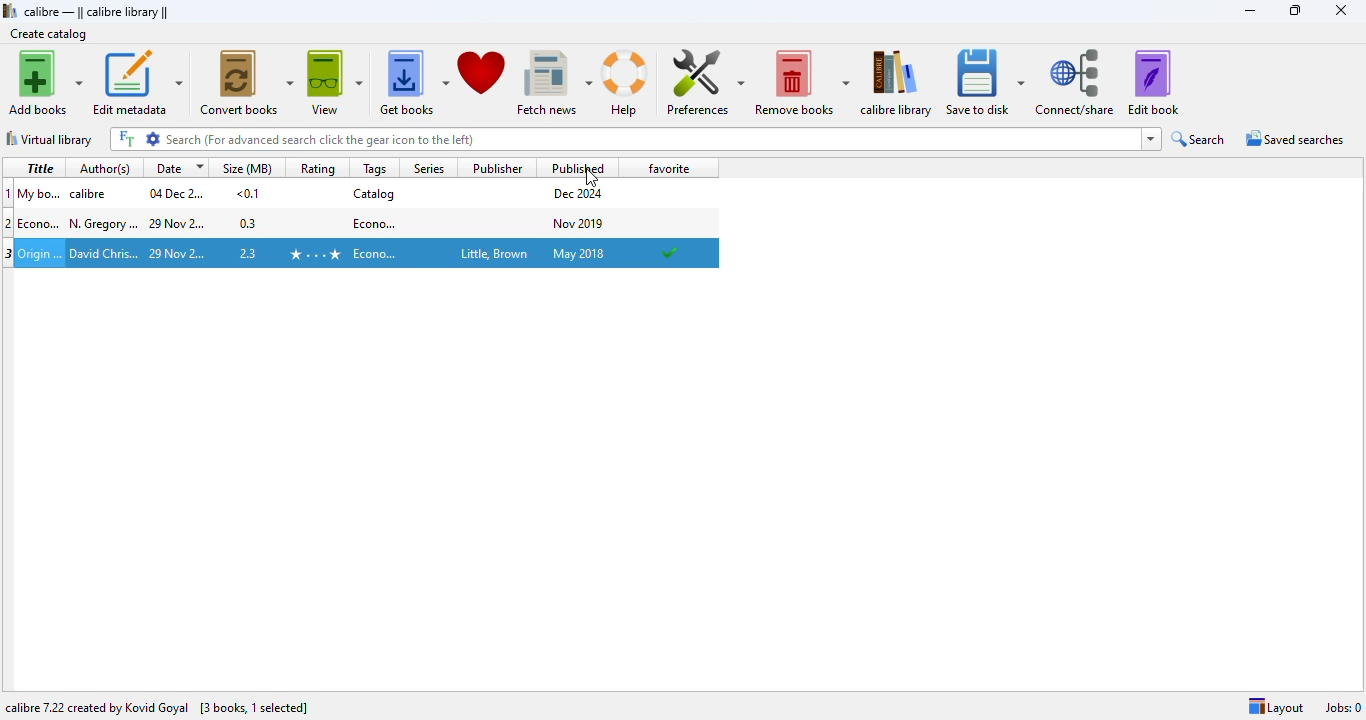 This screenshot has width=1366, height=720. I want to click on date, so click(178, 223).